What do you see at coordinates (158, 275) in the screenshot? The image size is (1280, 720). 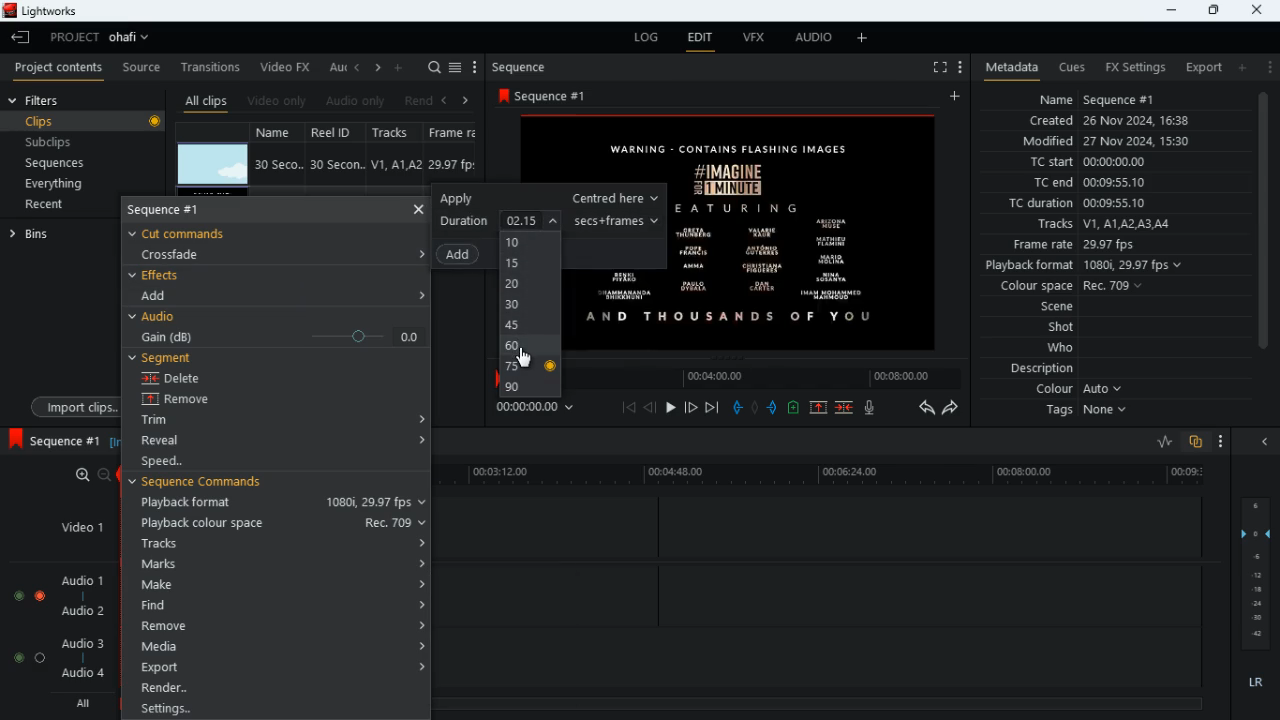 I see `effects` at bounding box center [158, 275].